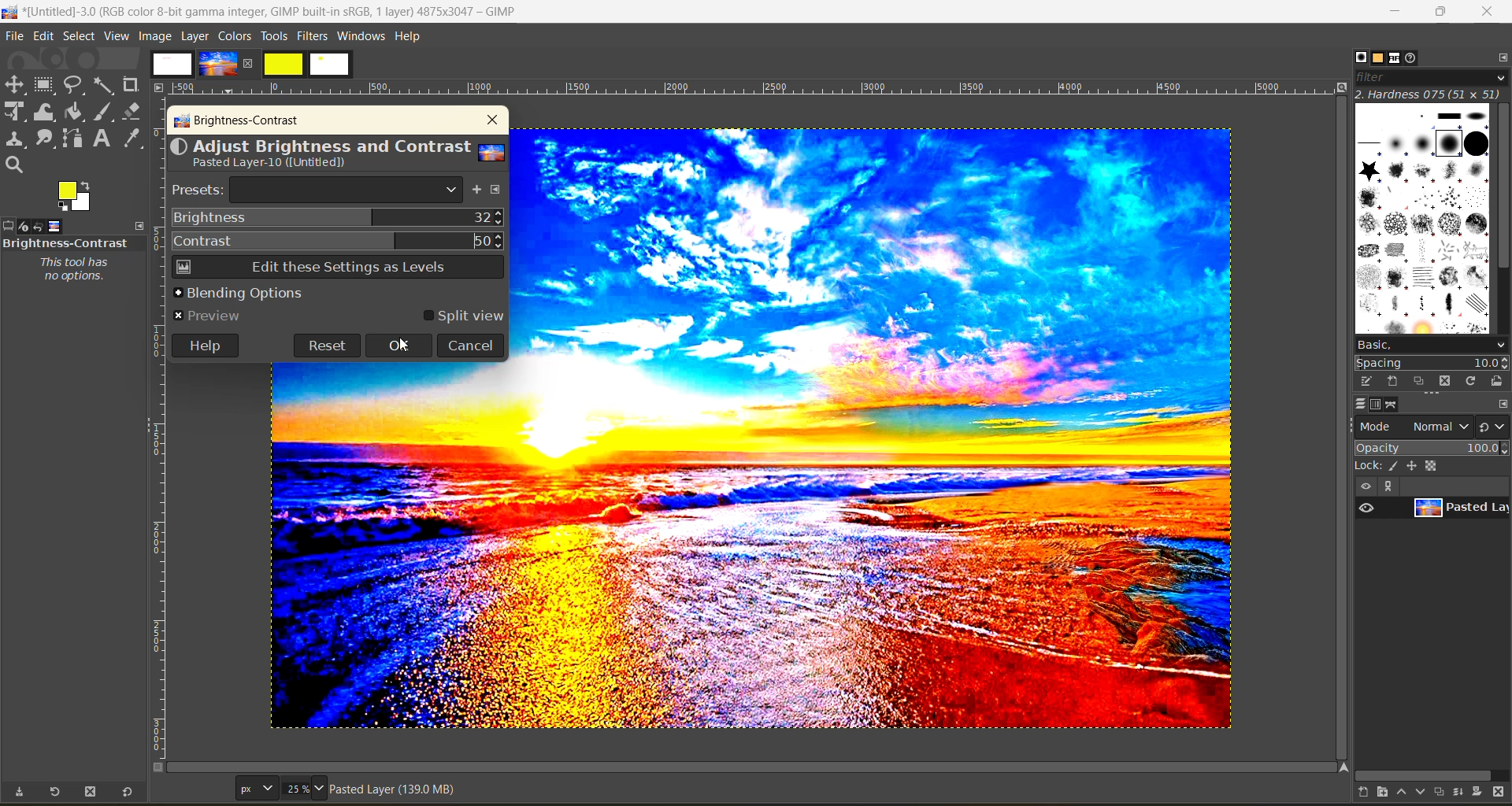  What do you see at coordinates (93, 792) in the screenshot?
I see `delete tool preset` at bounding box center [93, 792].